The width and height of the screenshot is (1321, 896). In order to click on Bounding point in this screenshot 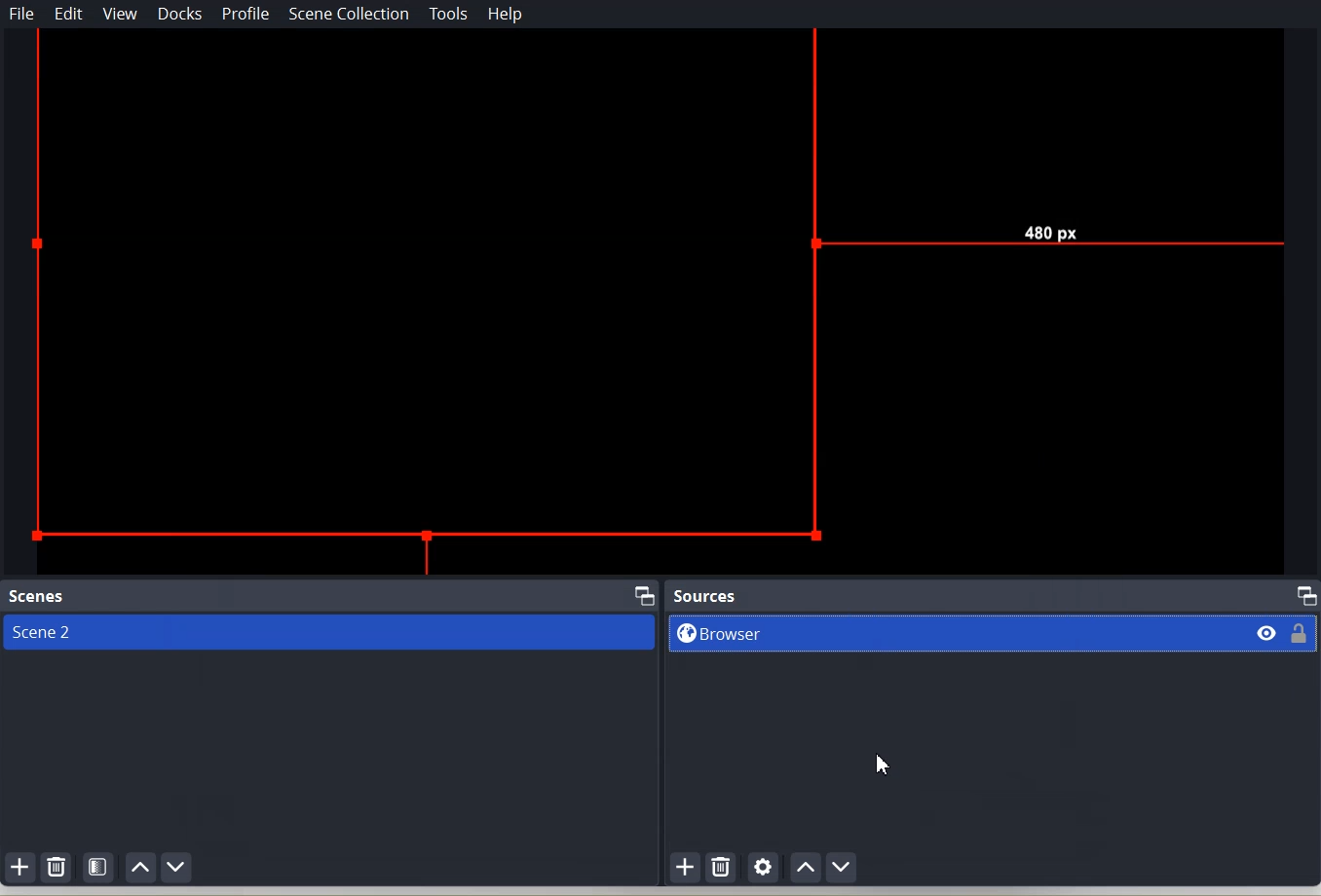, I will do `click(657, 302)`.